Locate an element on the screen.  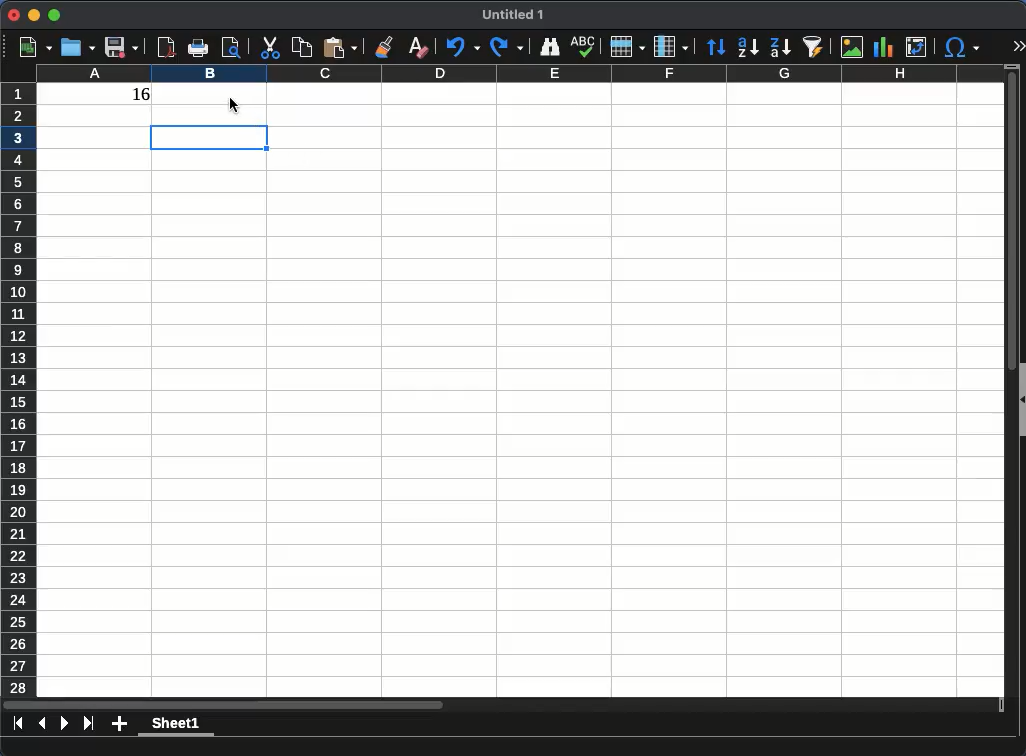
redo is located at coordinates (507, 47).